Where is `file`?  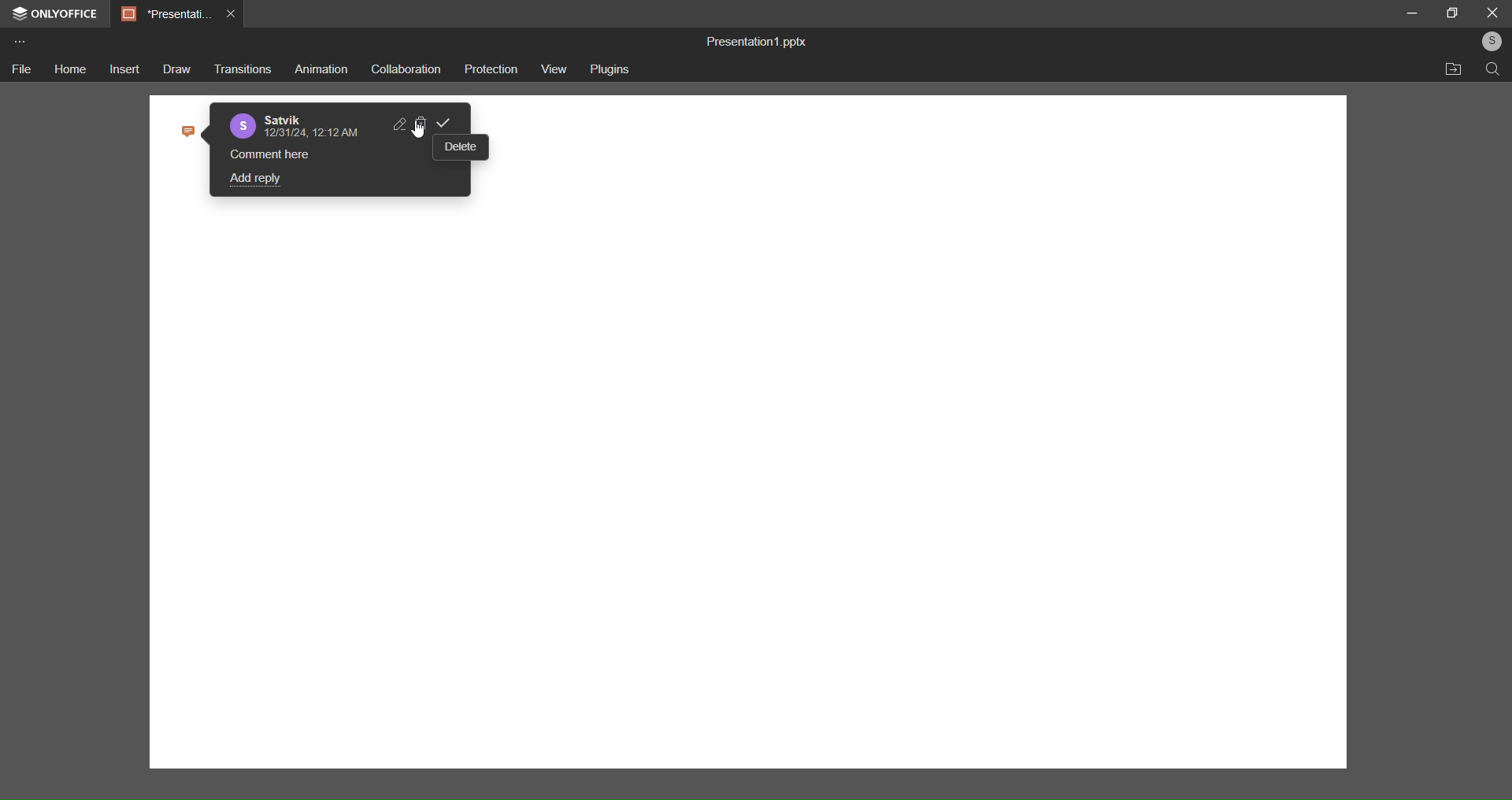
file is located at coordinates (24, 72).